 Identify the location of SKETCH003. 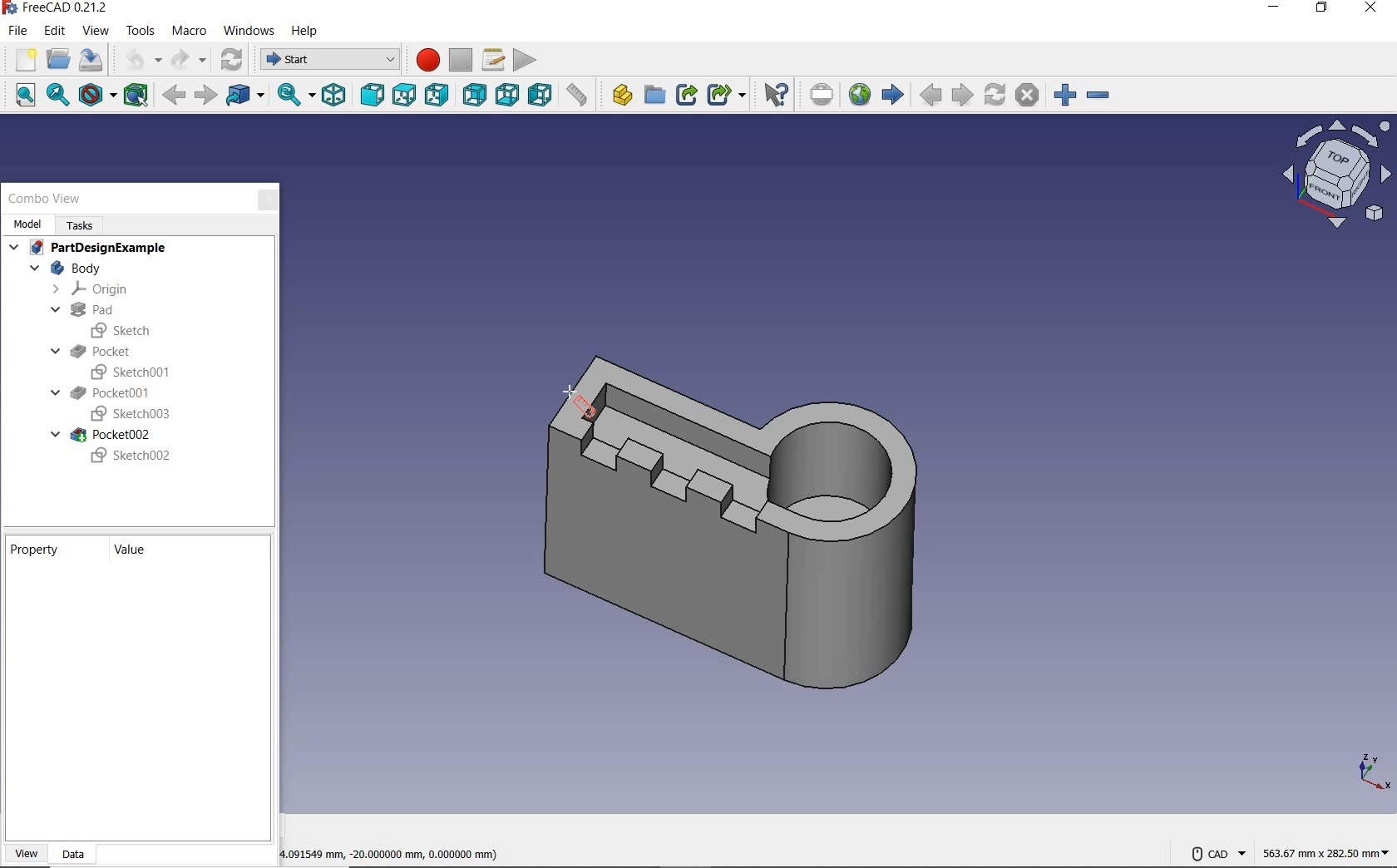
(128, 415).